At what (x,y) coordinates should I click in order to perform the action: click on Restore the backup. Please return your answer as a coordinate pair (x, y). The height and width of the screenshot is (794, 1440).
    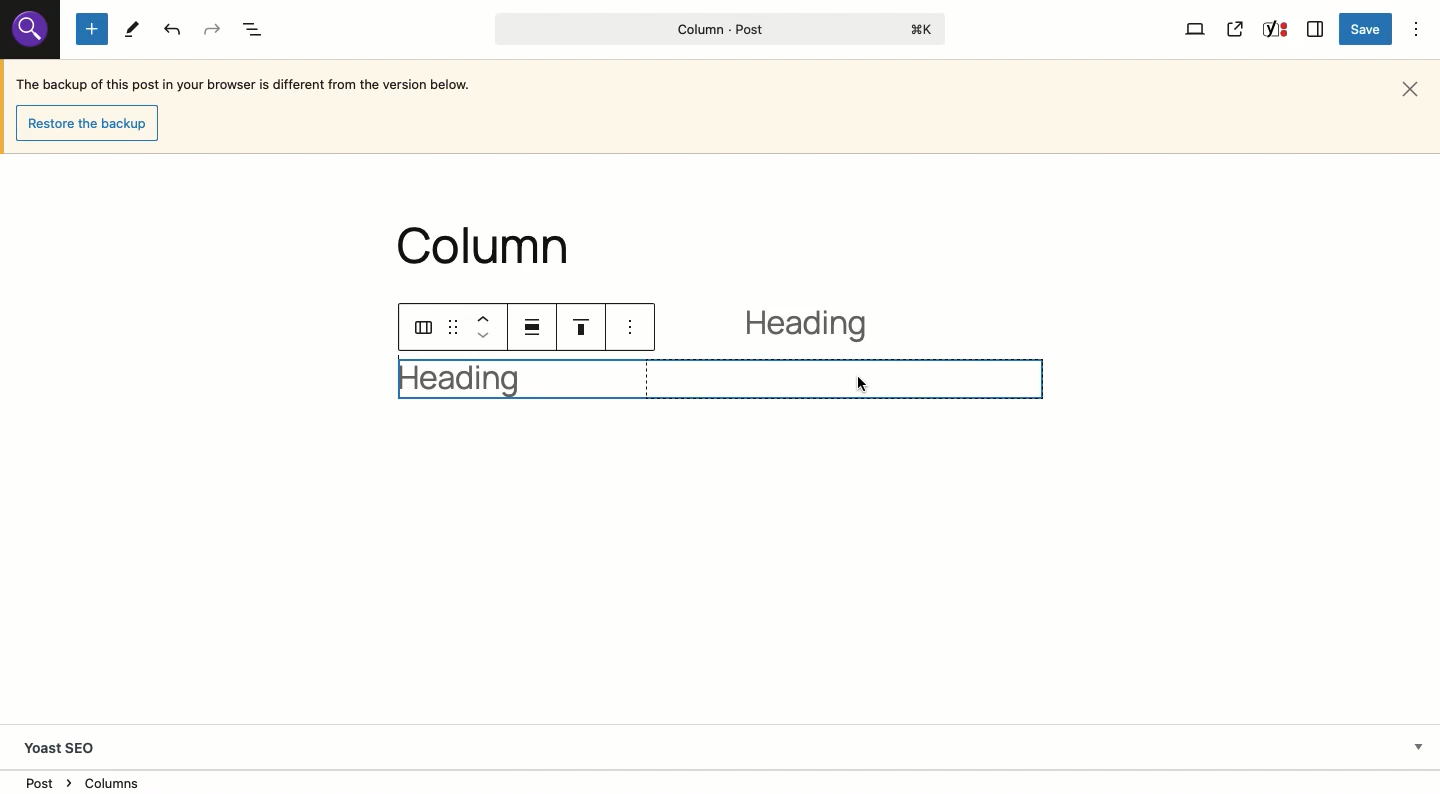
    Looking at the image, I should click on (92, 124).